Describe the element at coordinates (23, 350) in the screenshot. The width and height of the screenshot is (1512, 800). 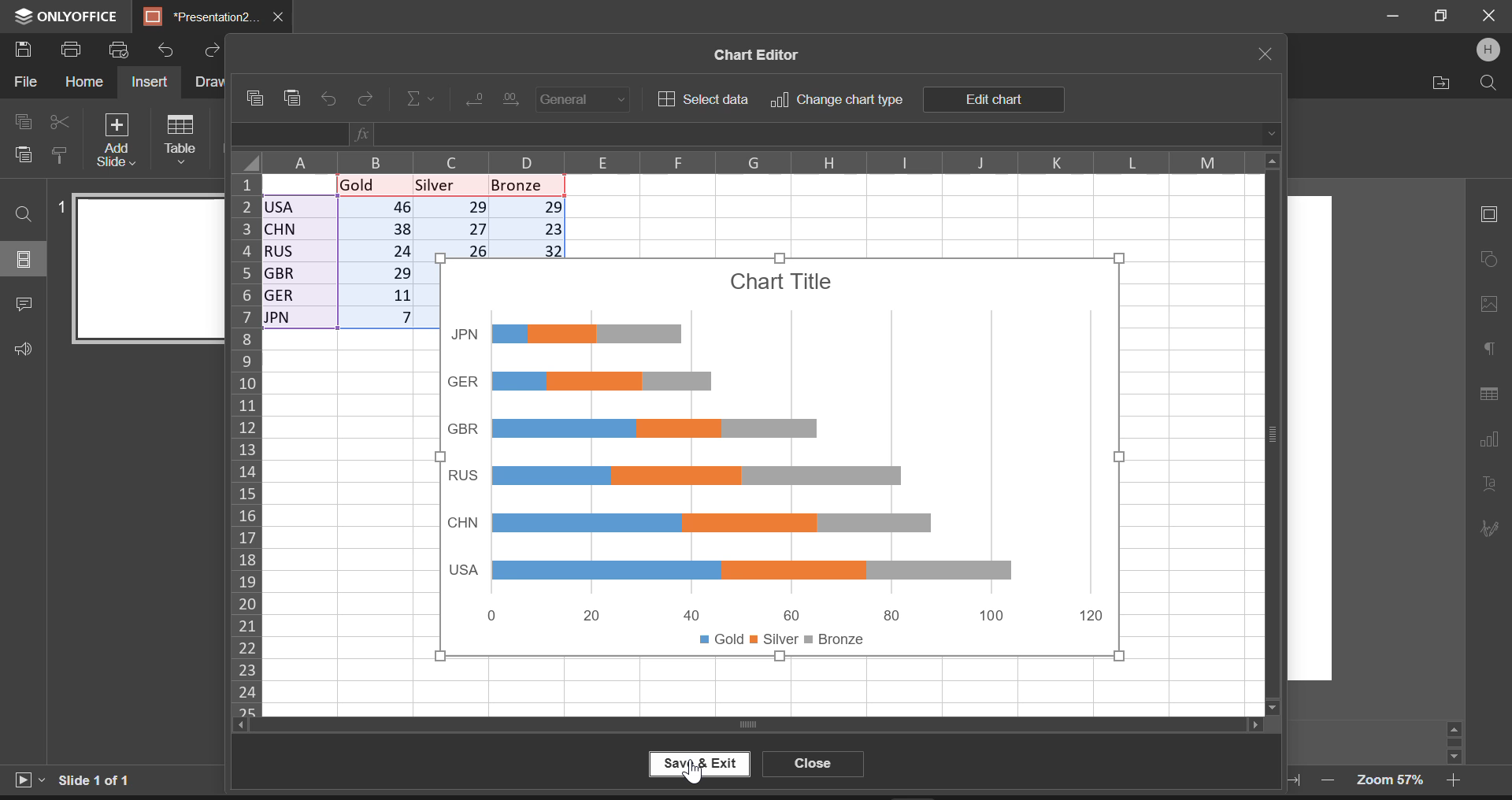
I see `Feedback & Support` at that location.